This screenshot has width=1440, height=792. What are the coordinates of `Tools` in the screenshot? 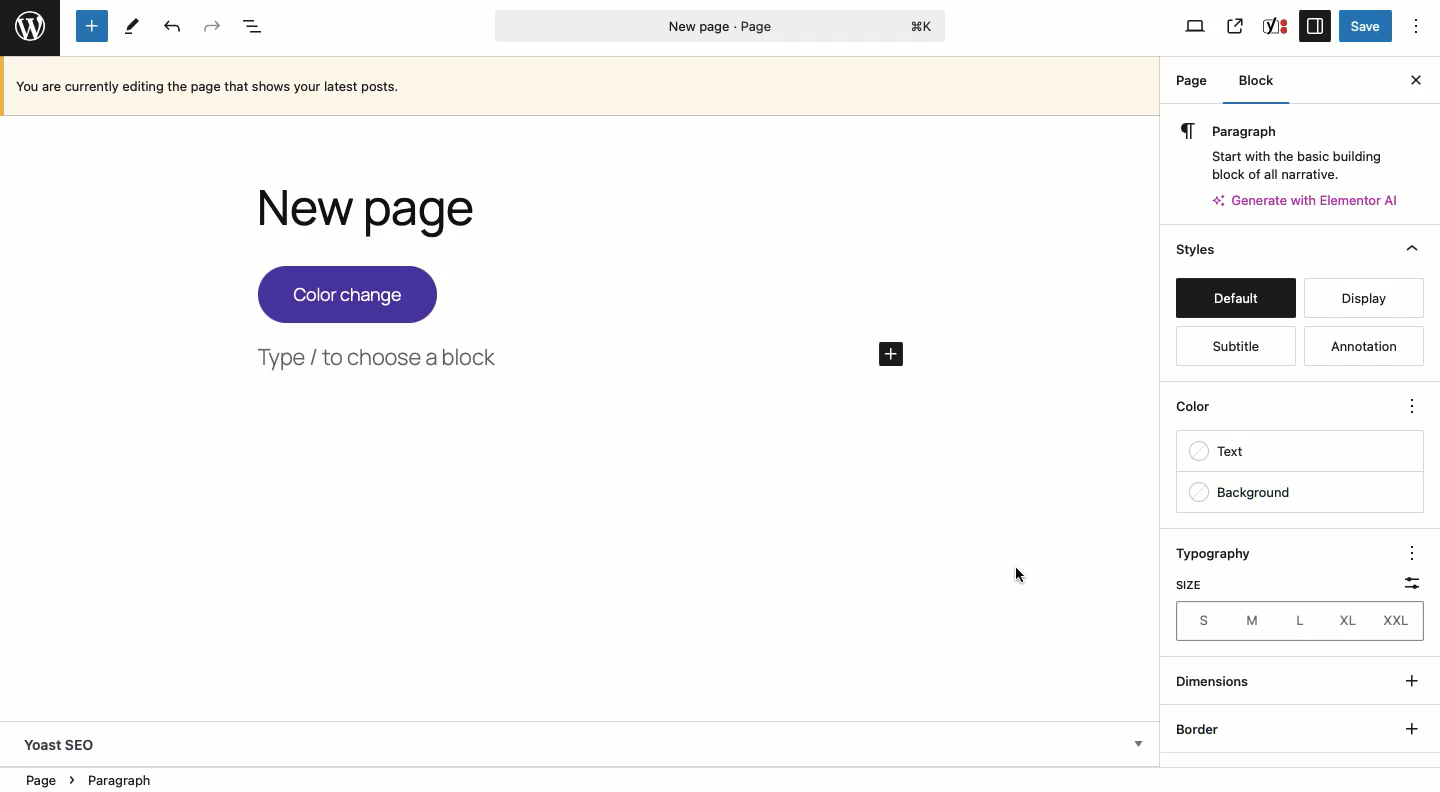 It's located at (133, 26).